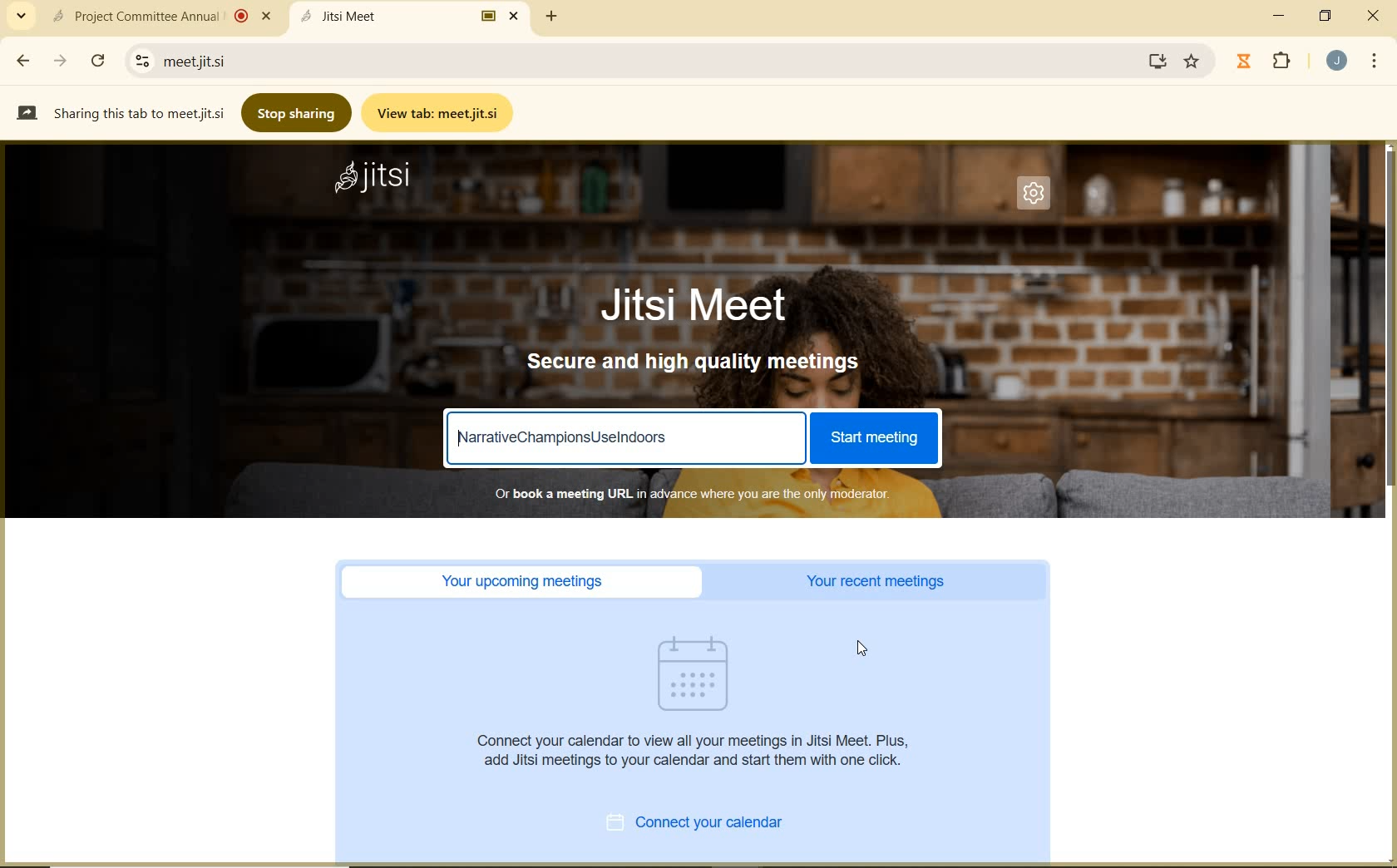  What do you see at coordinates (698, 750) in the screenshot?
I see `Connect your calendar to view all your meetings in Jitsi Meet. Plus,
add Jitsi meetings to your calendar and start them with one click.` at bounding box center [698, 750].